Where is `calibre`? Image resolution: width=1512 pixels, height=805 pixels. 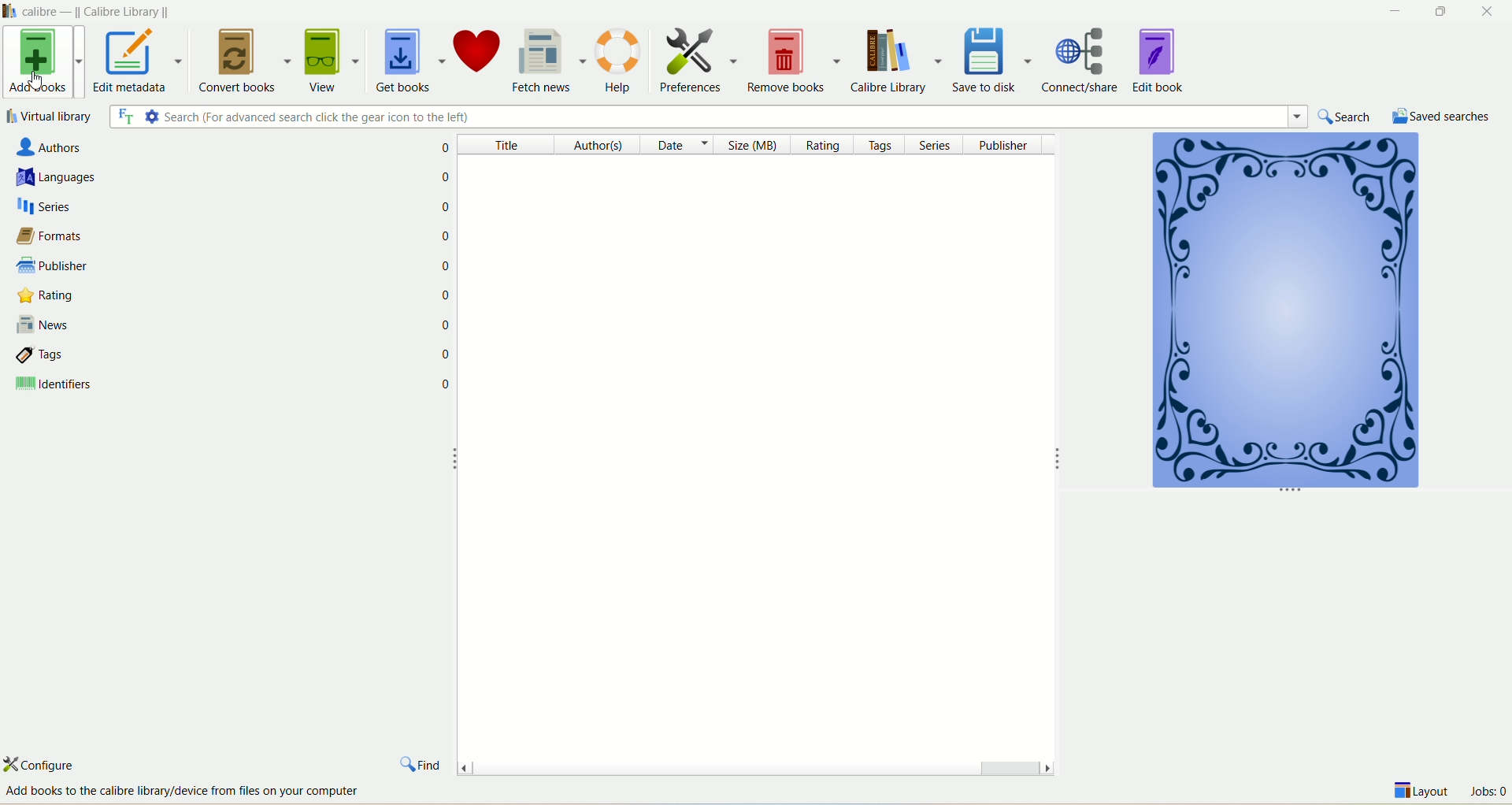 calibre is located at coordinates (101, 10).